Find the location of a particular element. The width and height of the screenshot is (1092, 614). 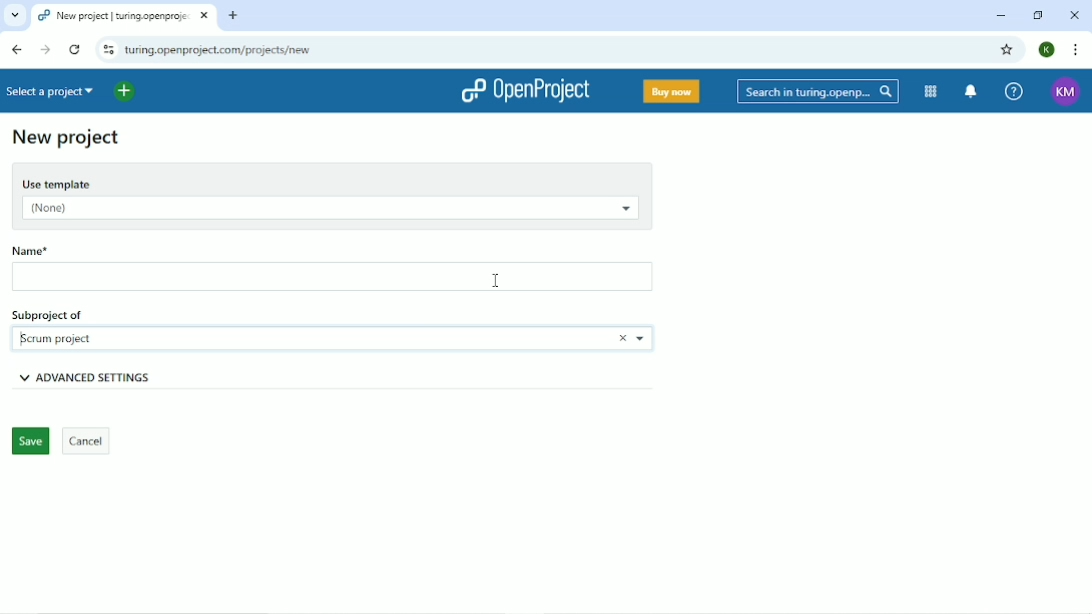

Scrum project is located at coordinates (64, 336).